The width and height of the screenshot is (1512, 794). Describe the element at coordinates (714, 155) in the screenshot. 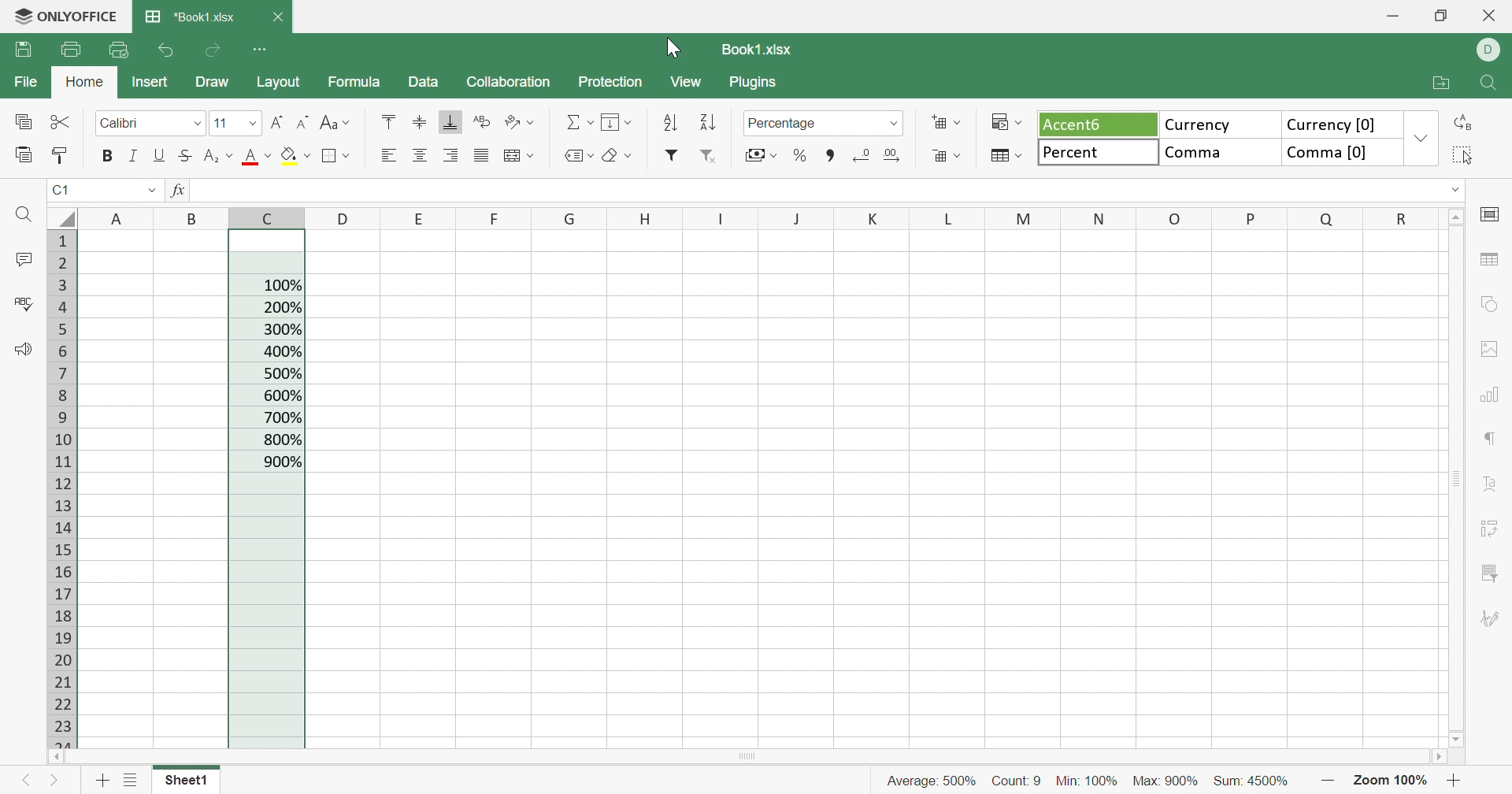

I see `Remove filter` at that location.